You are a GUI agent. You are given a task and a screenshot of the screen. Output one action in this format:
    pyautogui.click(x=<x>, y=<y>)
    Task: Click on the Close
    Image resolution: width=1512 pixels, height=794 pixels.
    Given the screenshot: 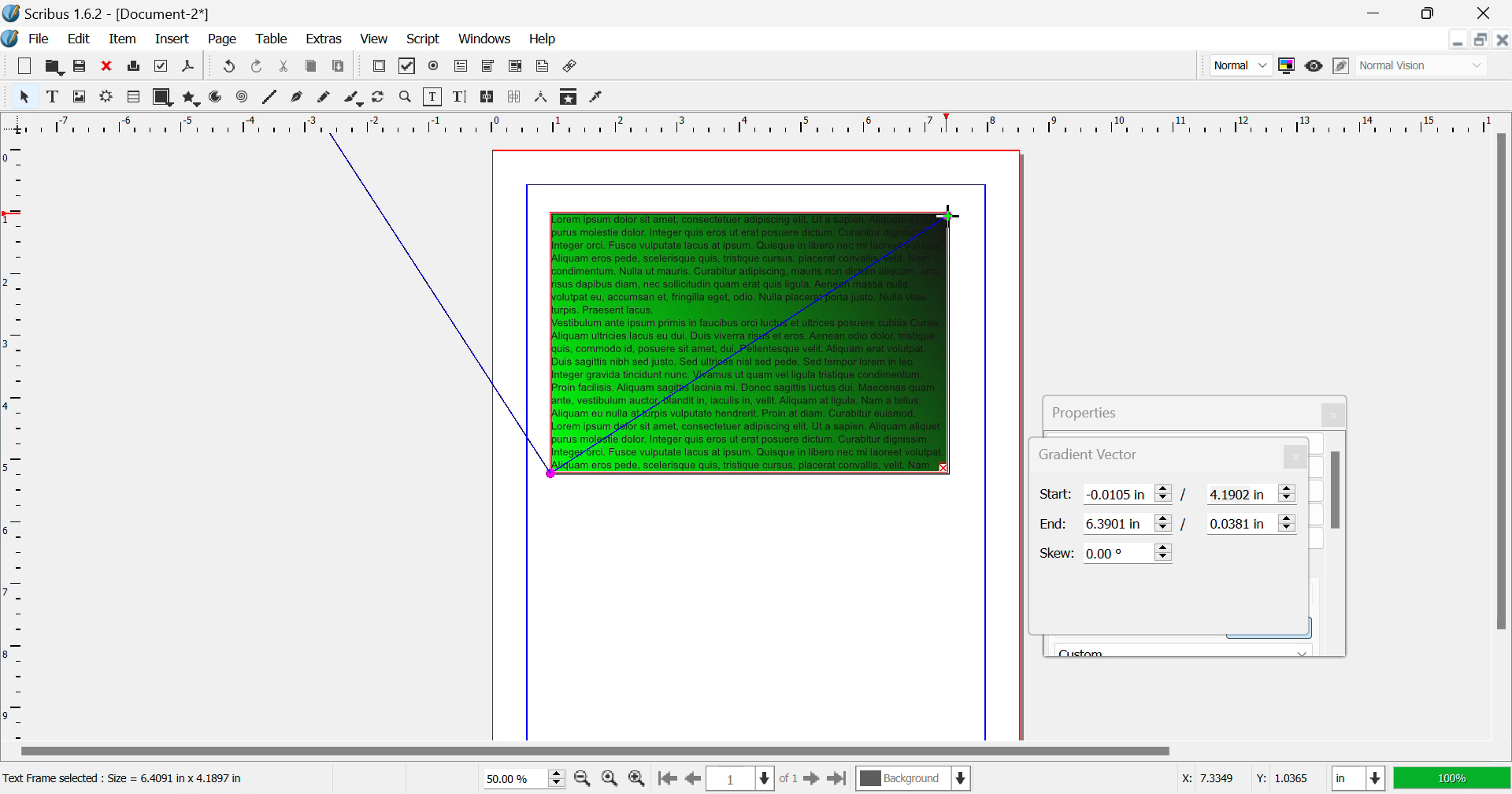 What is the action you would take?
    pyautogui.click(x=1298, y=457)
    